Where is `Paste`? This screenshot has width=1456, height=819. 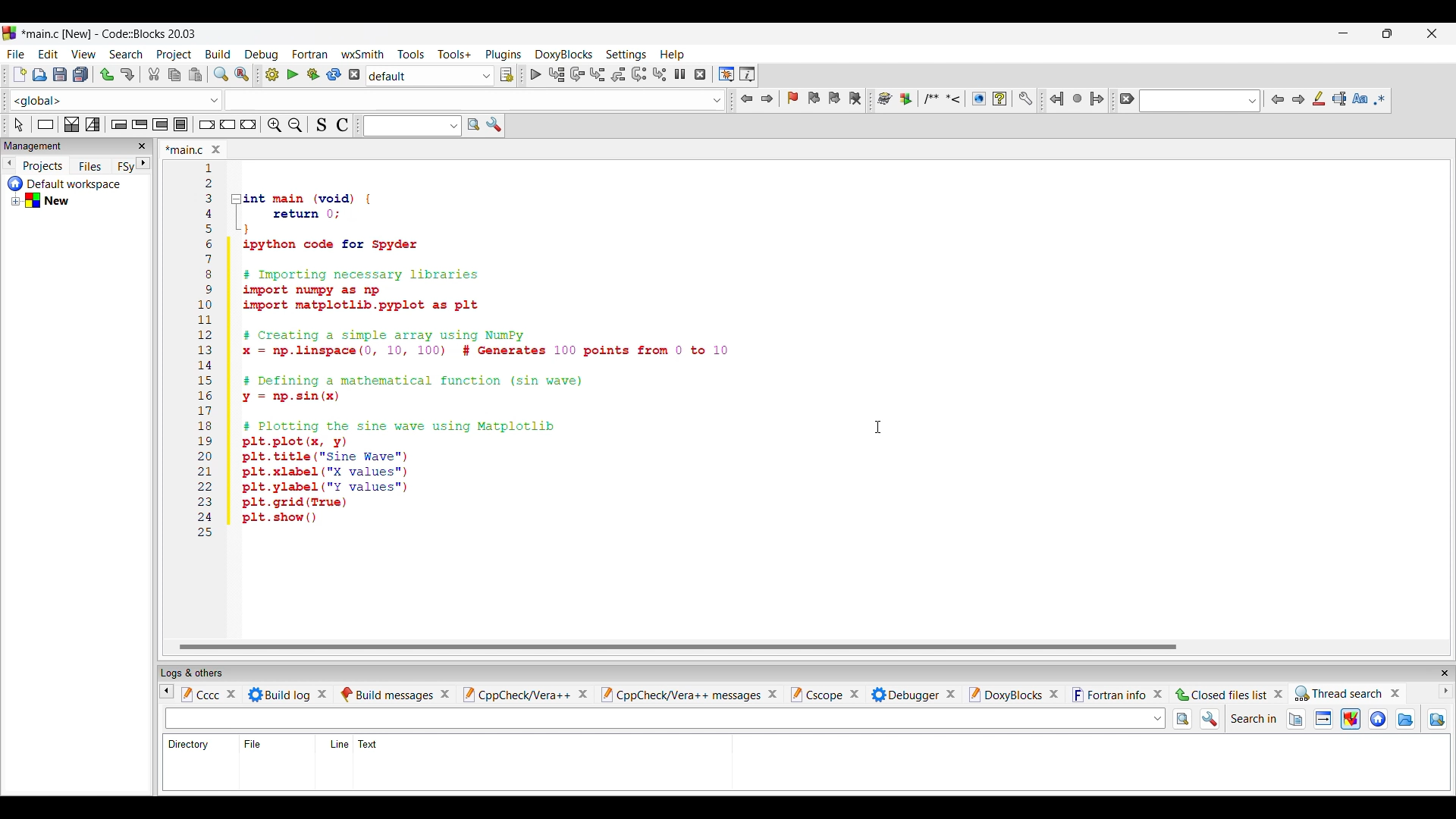 Paste is located at coordinates (196, 74).